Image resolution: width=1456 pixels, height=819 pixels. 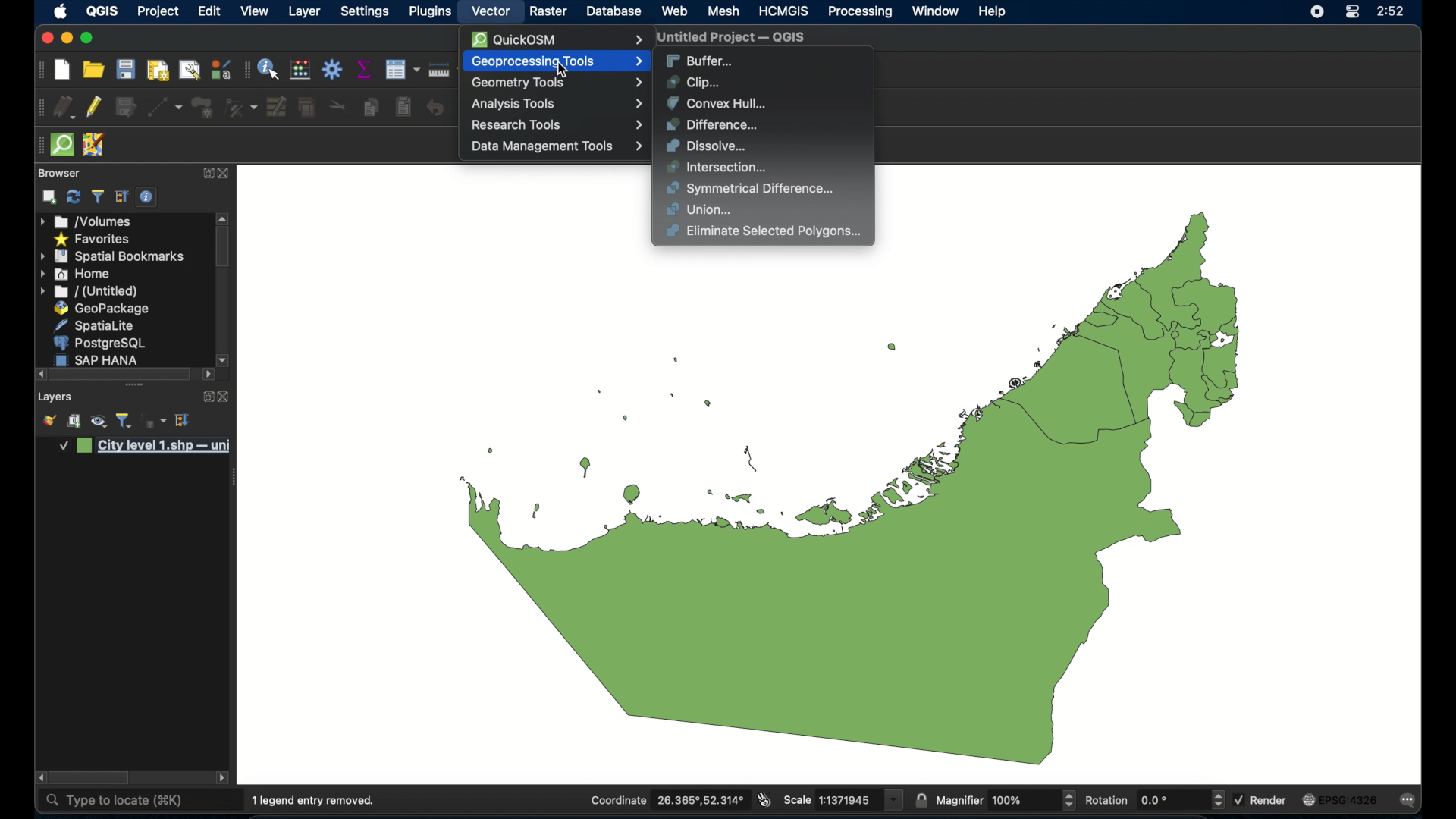 What do you see at coordinates (209, 375) in the screenshot?
I see `scroll right arrow` at bounding box center [209, 375].